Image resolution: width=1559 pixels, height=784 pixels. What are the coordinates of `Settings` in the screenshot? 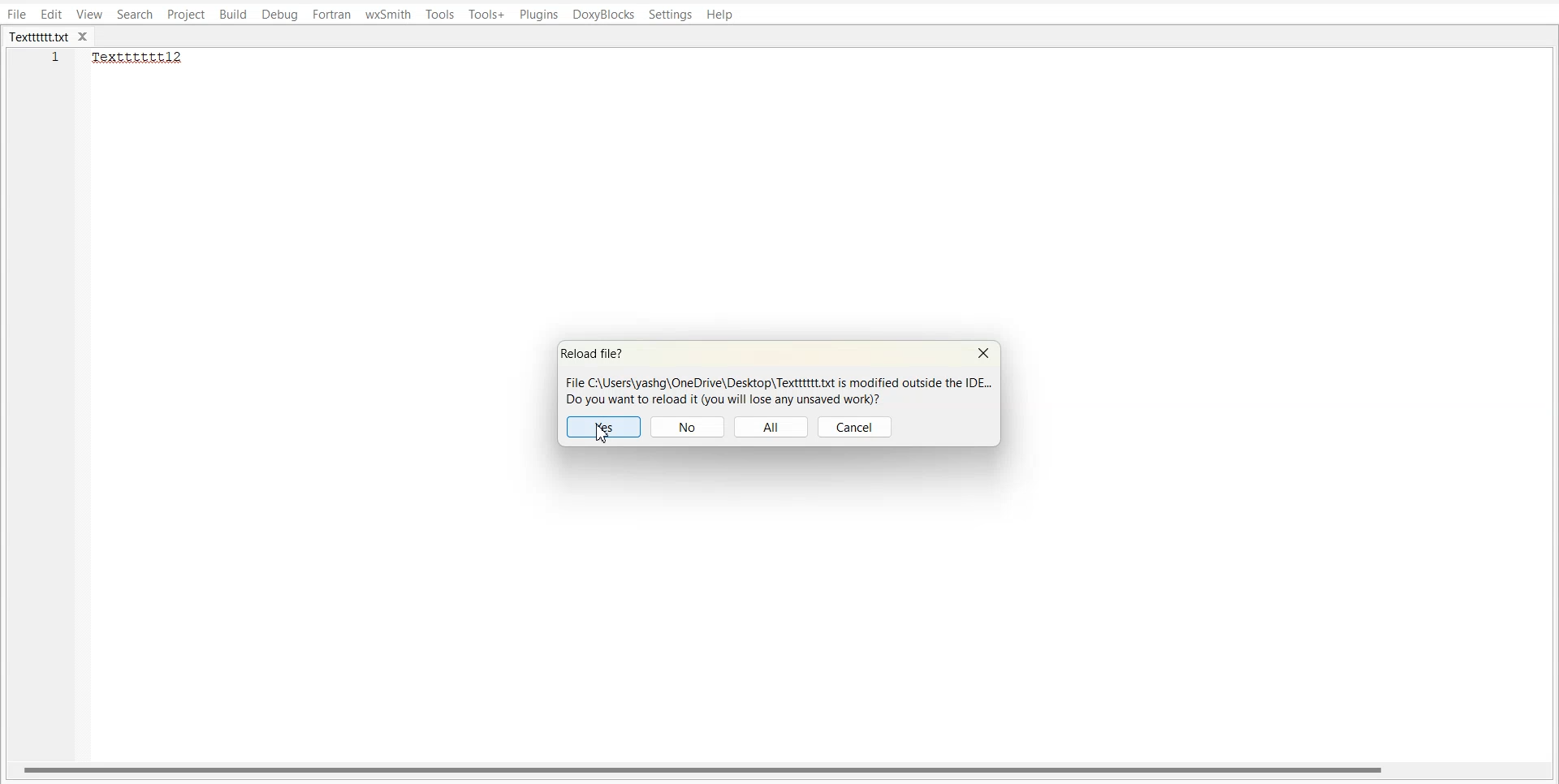 It's located at (671, 15).